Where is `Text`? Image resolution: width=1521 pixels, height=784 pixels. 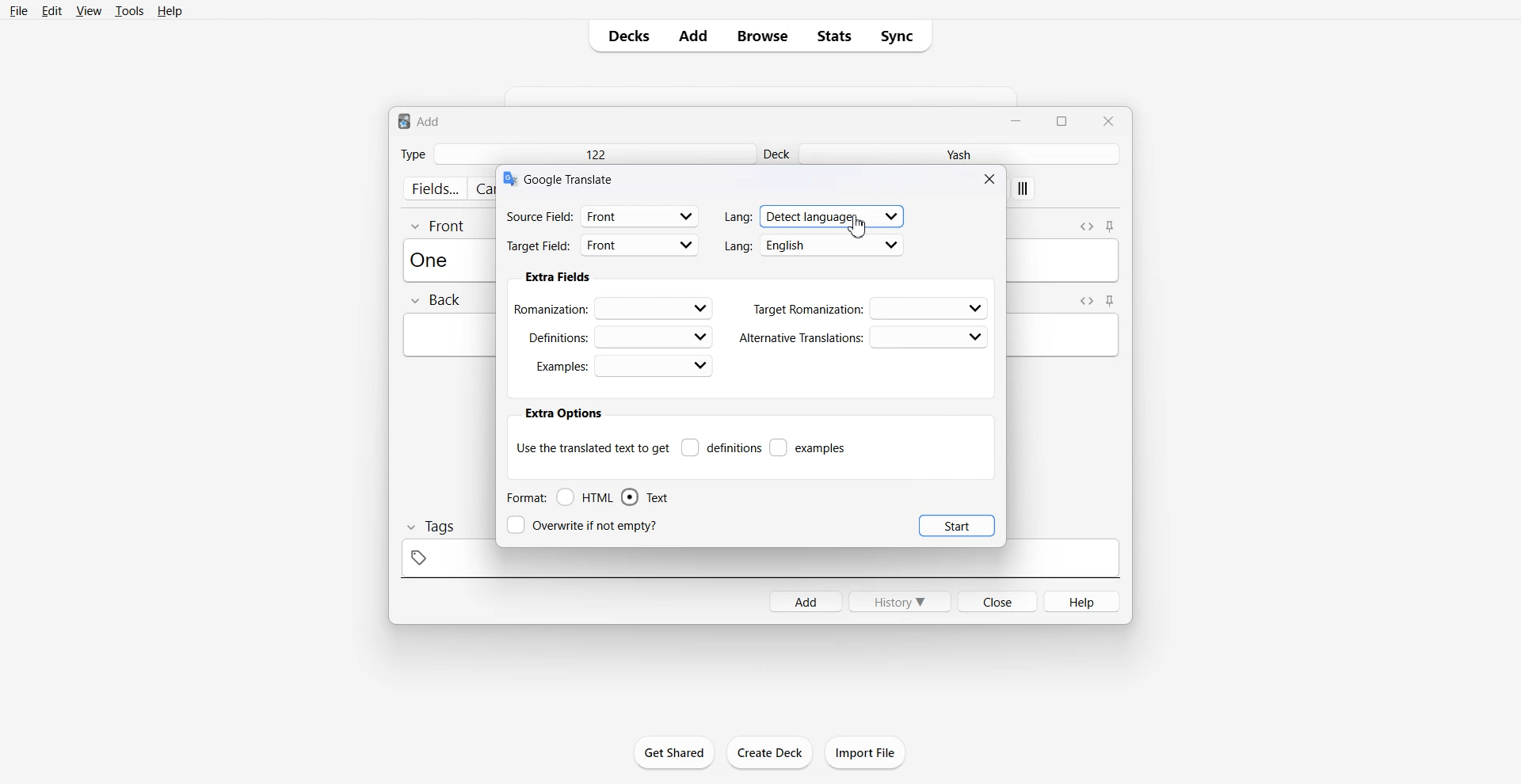
Text is located at coordinates (420, 120).